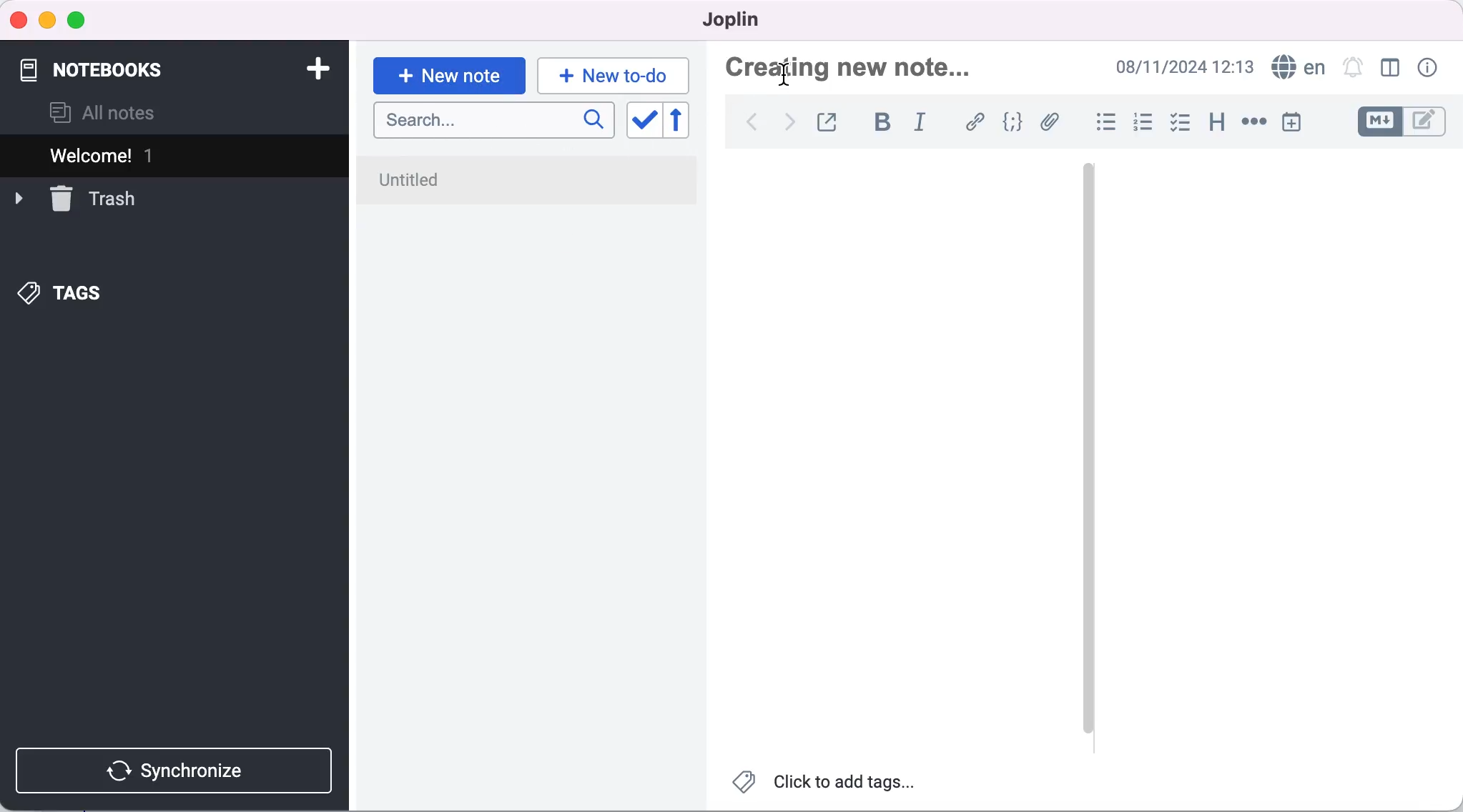 The height and width of the screenshot is (812, 1463). I want to click on minimize, so click(46, 21).